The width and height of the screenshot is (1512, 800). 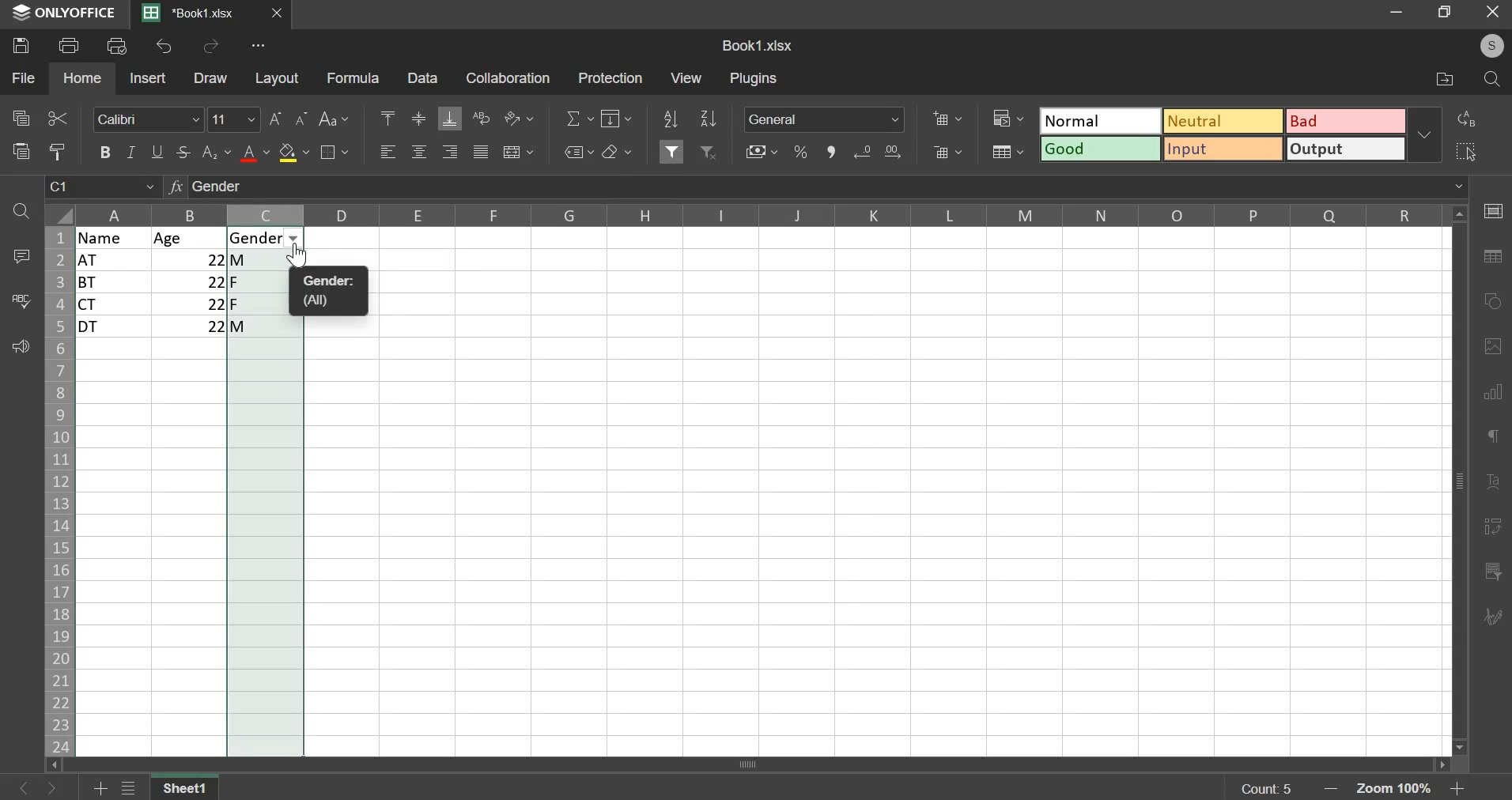 What do you see at coordinates (825, 119) in the screenshot?
I see `number format` at bounding box center [825, 119].